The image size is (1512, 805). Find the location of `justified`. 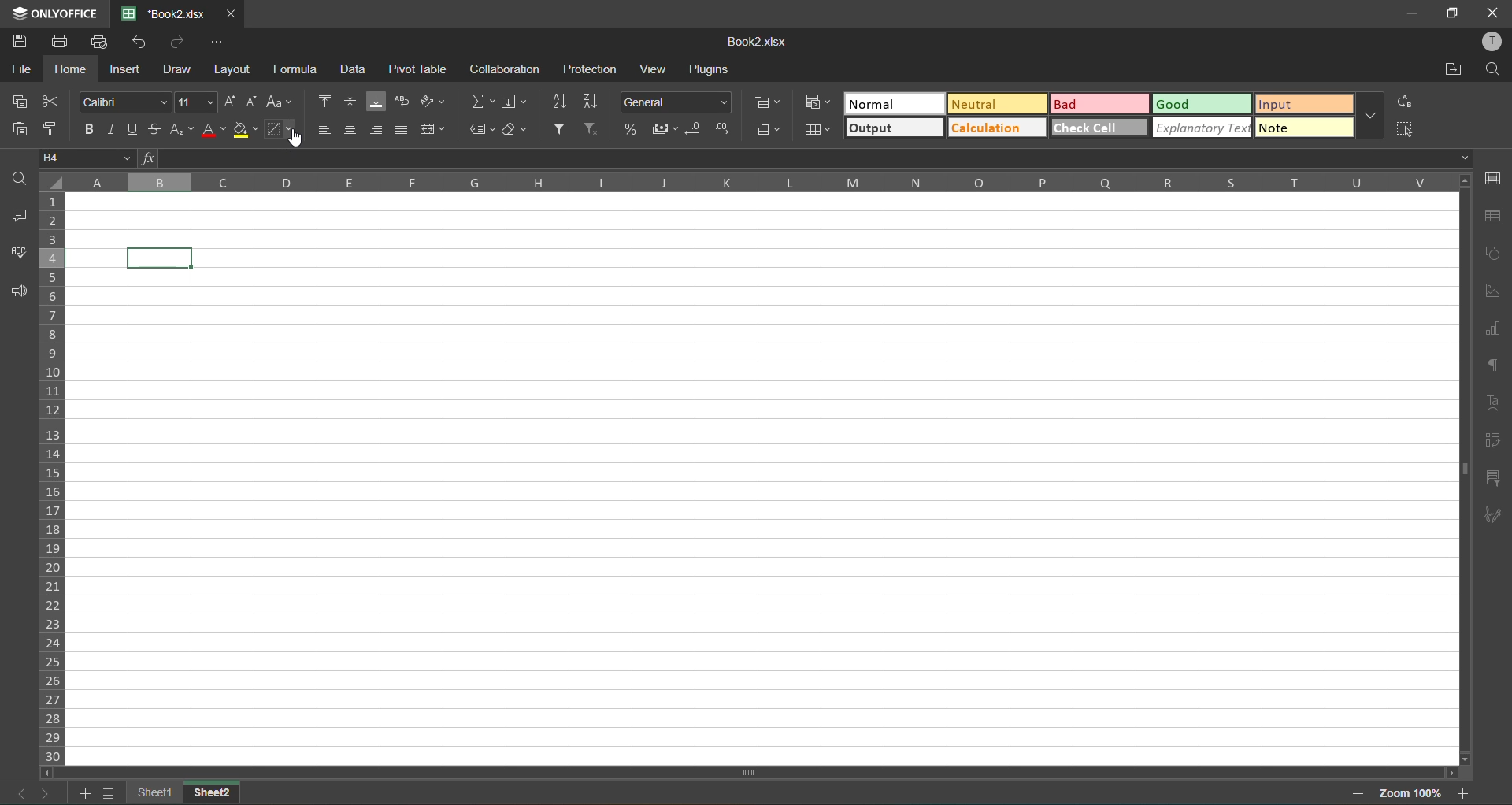

justified is located at coordinates (402, 128).